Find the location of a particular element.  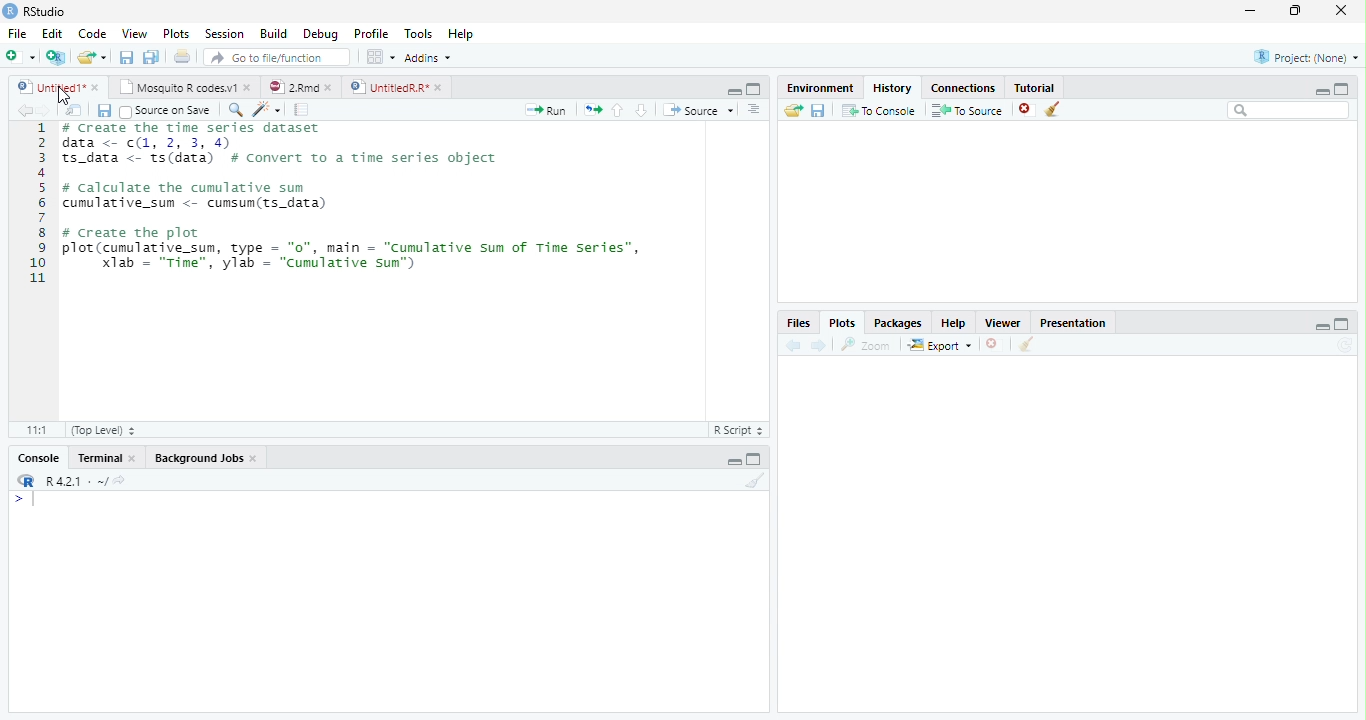

Minimize is located at coordinates (734, 92).